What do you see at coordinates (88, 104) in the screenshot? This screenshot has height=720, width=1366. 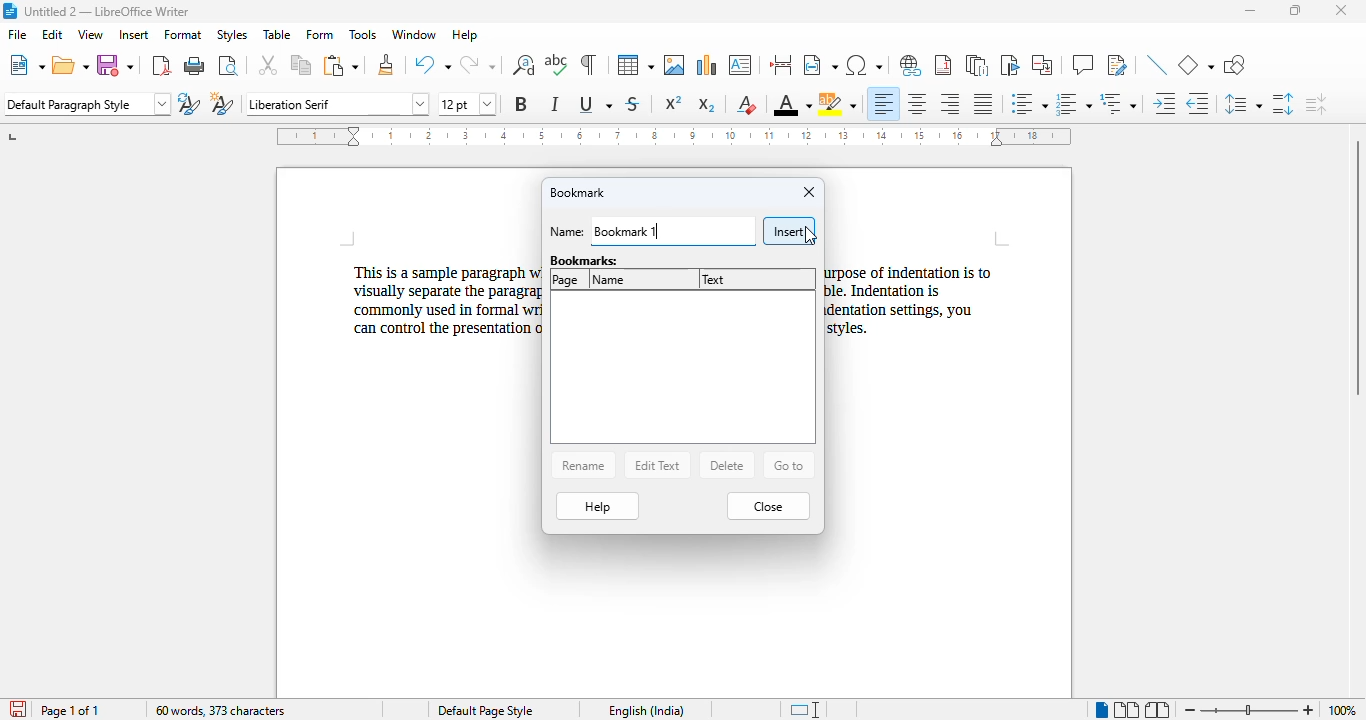 I see `set paragraph style` at bounding box center [88, 104].